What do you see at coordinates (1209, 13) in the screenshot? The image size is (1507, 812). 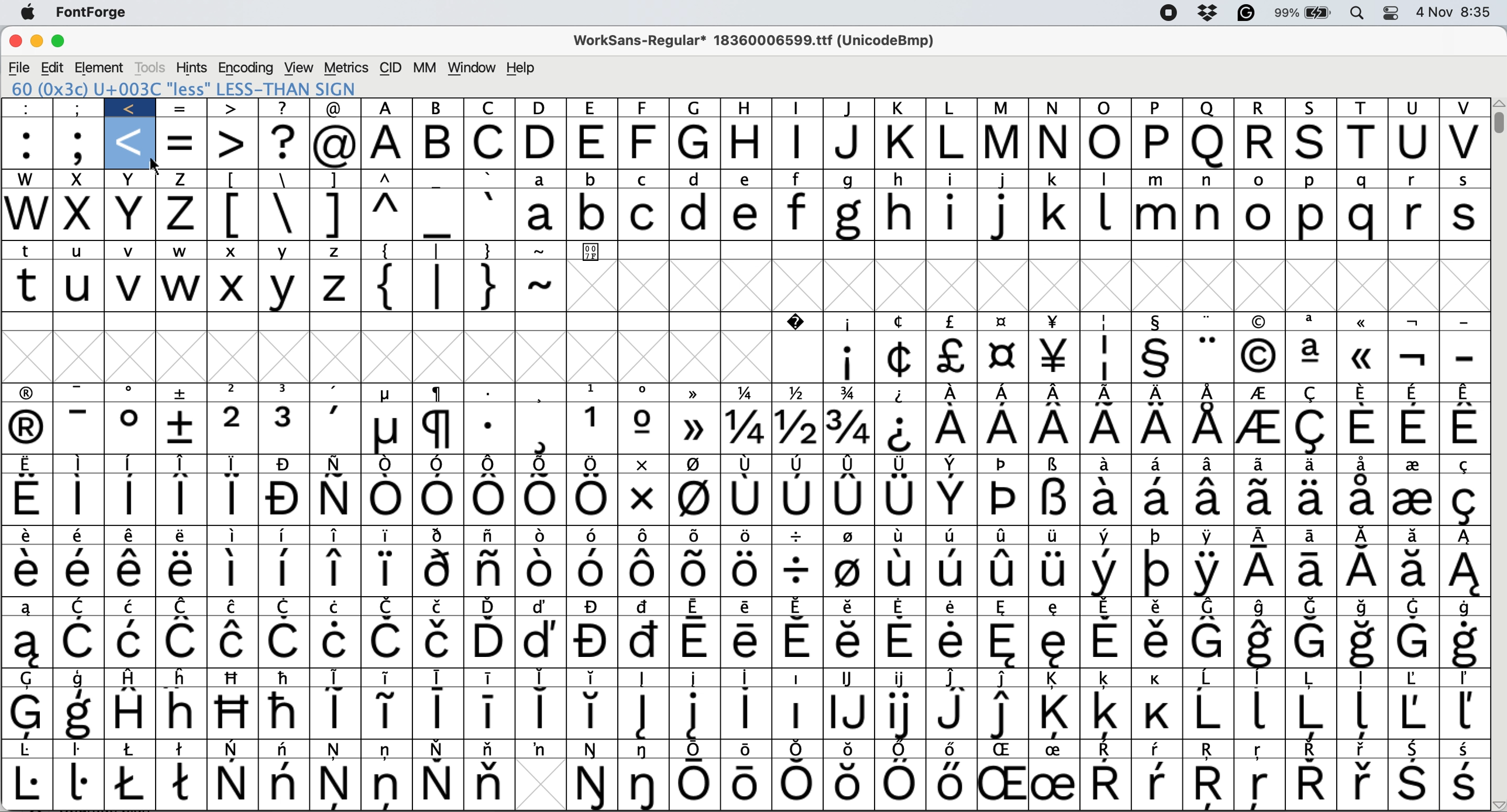 I see `dropbox` at bounding box center [1209, 13].